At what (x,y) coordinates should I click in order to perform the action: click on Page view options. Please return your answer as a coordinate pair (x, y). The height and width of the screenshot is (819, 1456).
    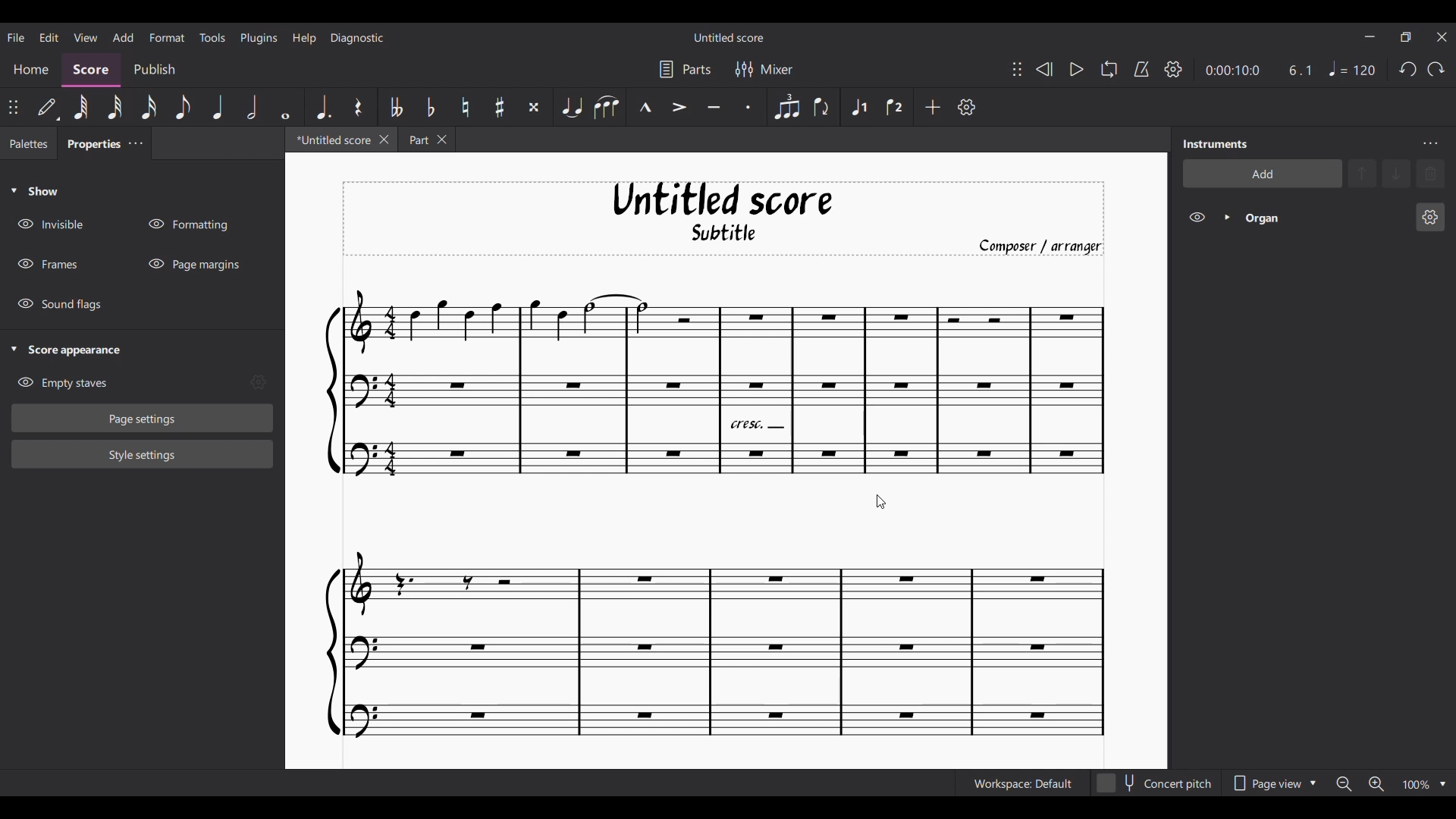
    Looking at the image, I should click on (1270, 783).